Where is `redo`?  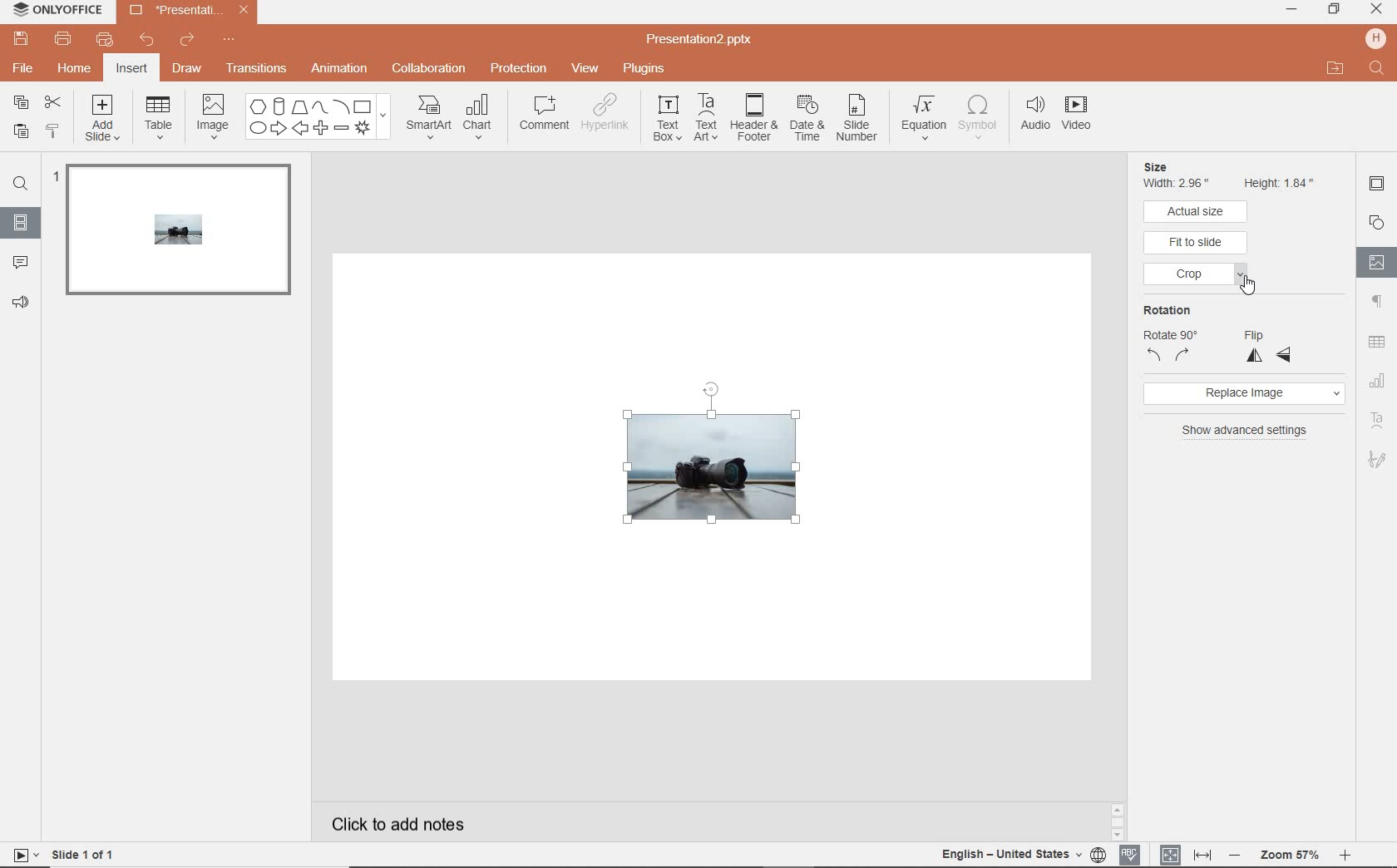
redo is located at coordinates (189, 42).